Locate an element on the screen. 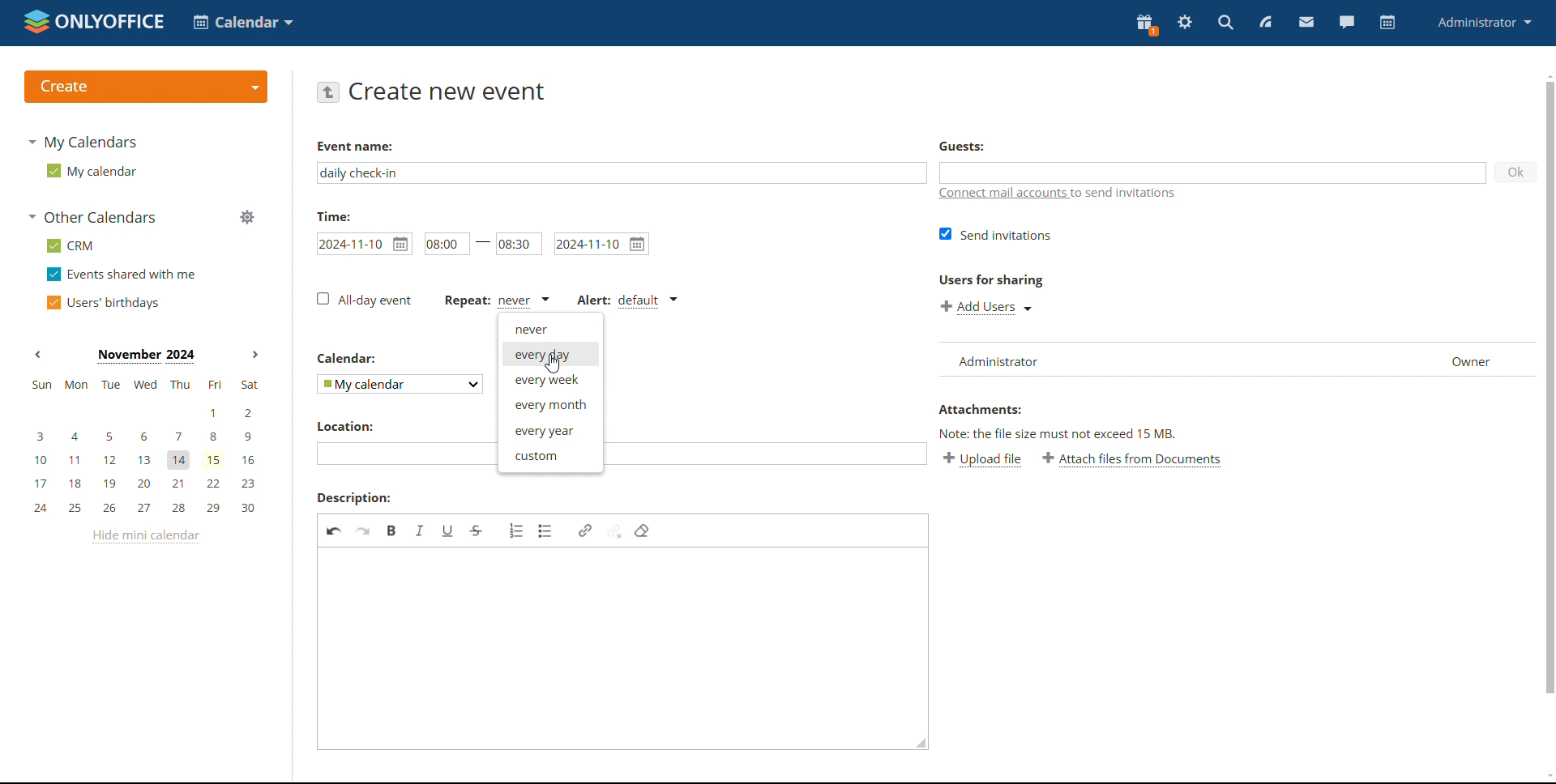 Image resolution: width=1556 pixels, height=784 pixels. everyday is located at coordinates (551, 355).